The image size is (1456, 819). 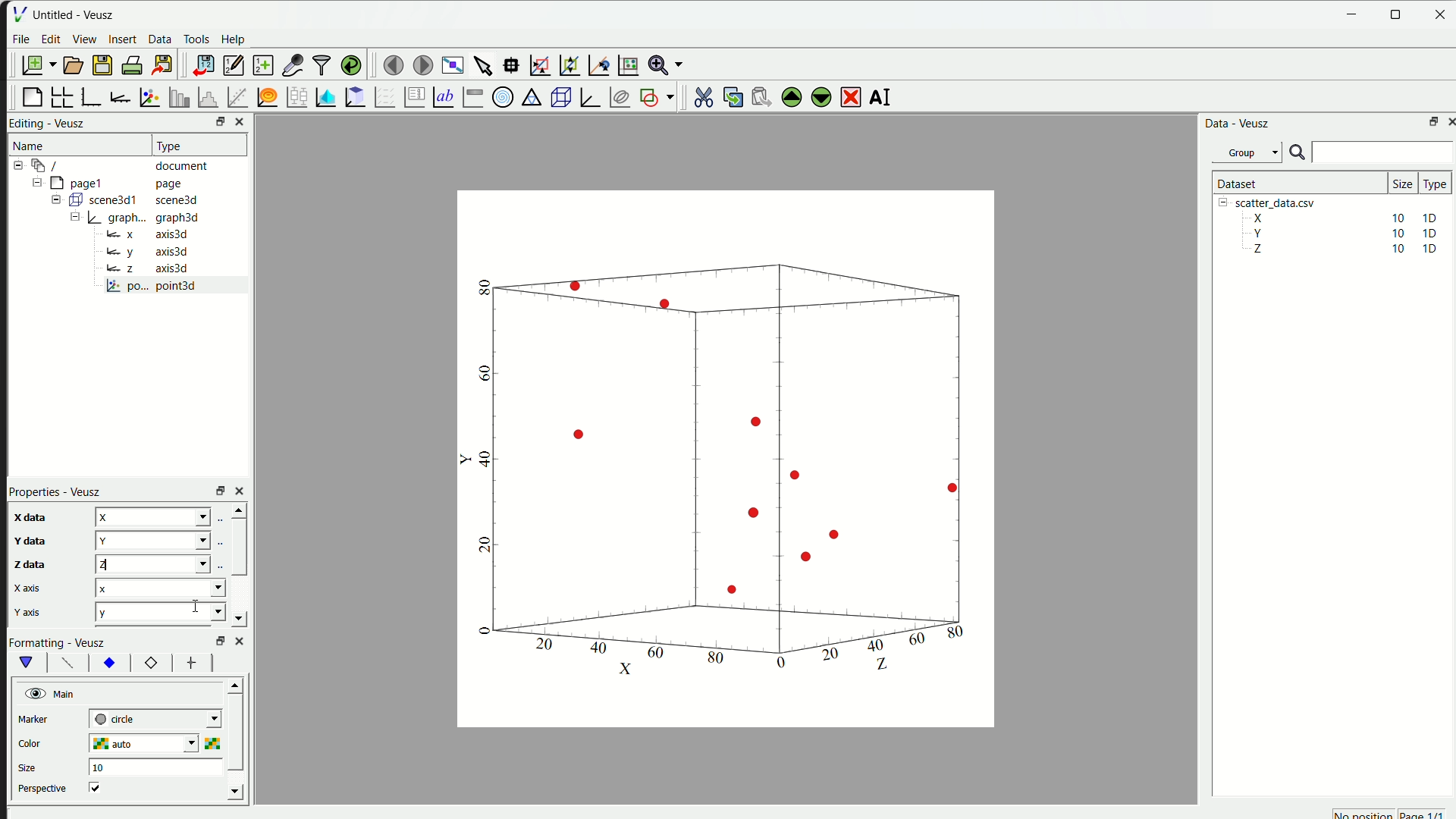 I want to click on Ternary Graph, so click(x=529, y=97).